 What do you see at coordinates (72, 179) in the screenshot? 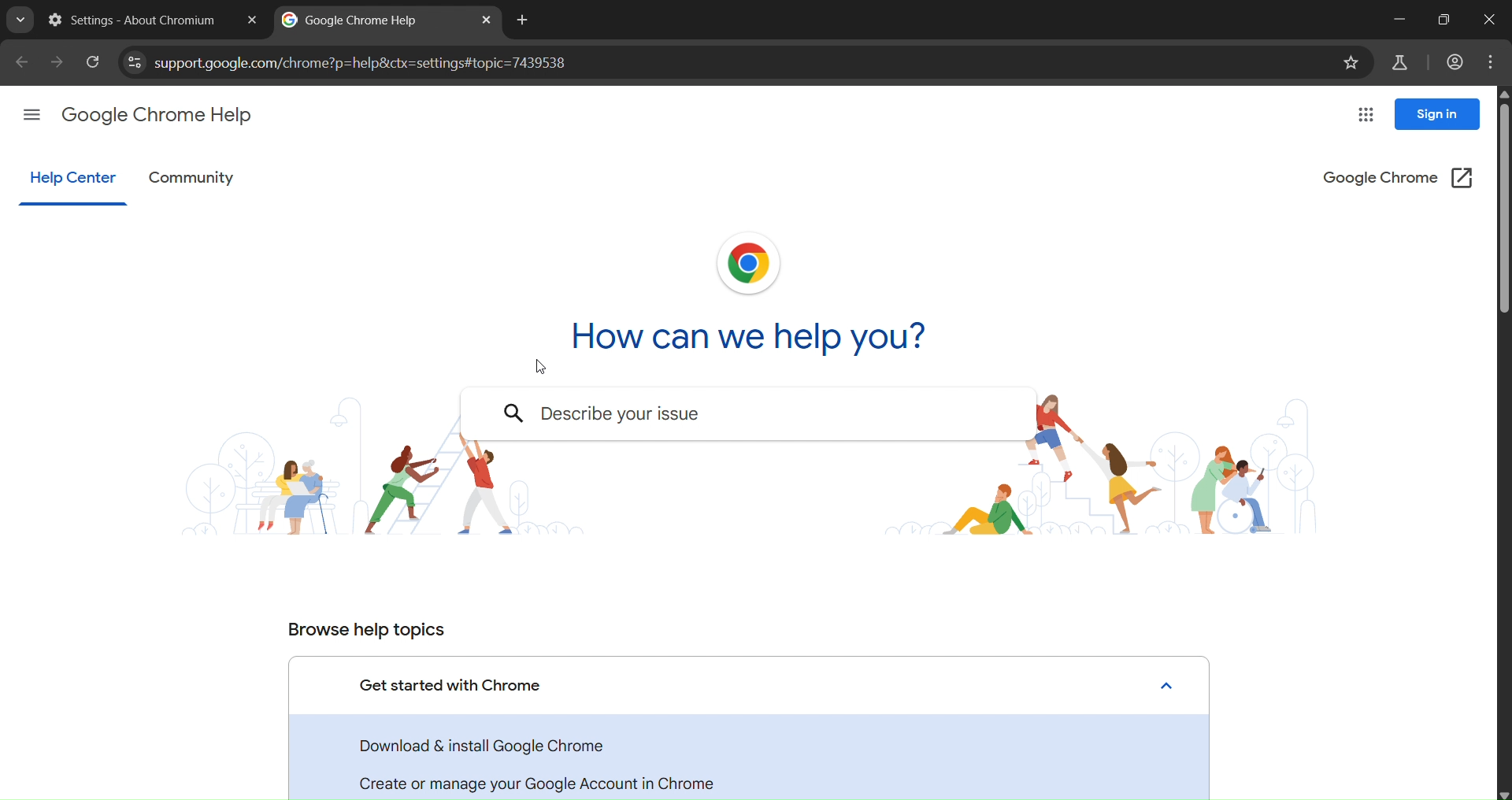
I see `help center` at bounding box center [72, 179].